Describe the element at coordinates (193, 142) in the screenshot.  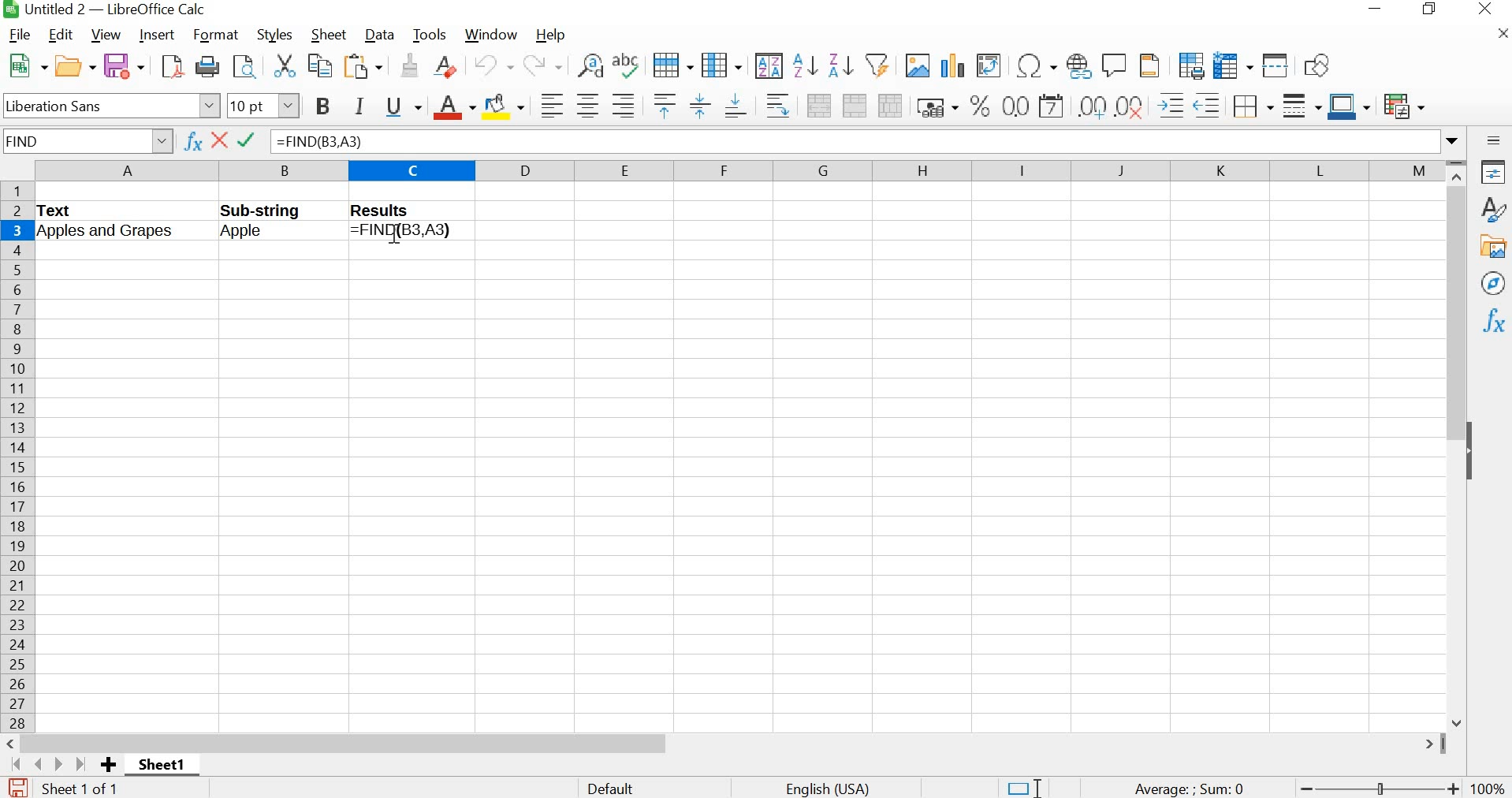
I see `function wizard` at that location.